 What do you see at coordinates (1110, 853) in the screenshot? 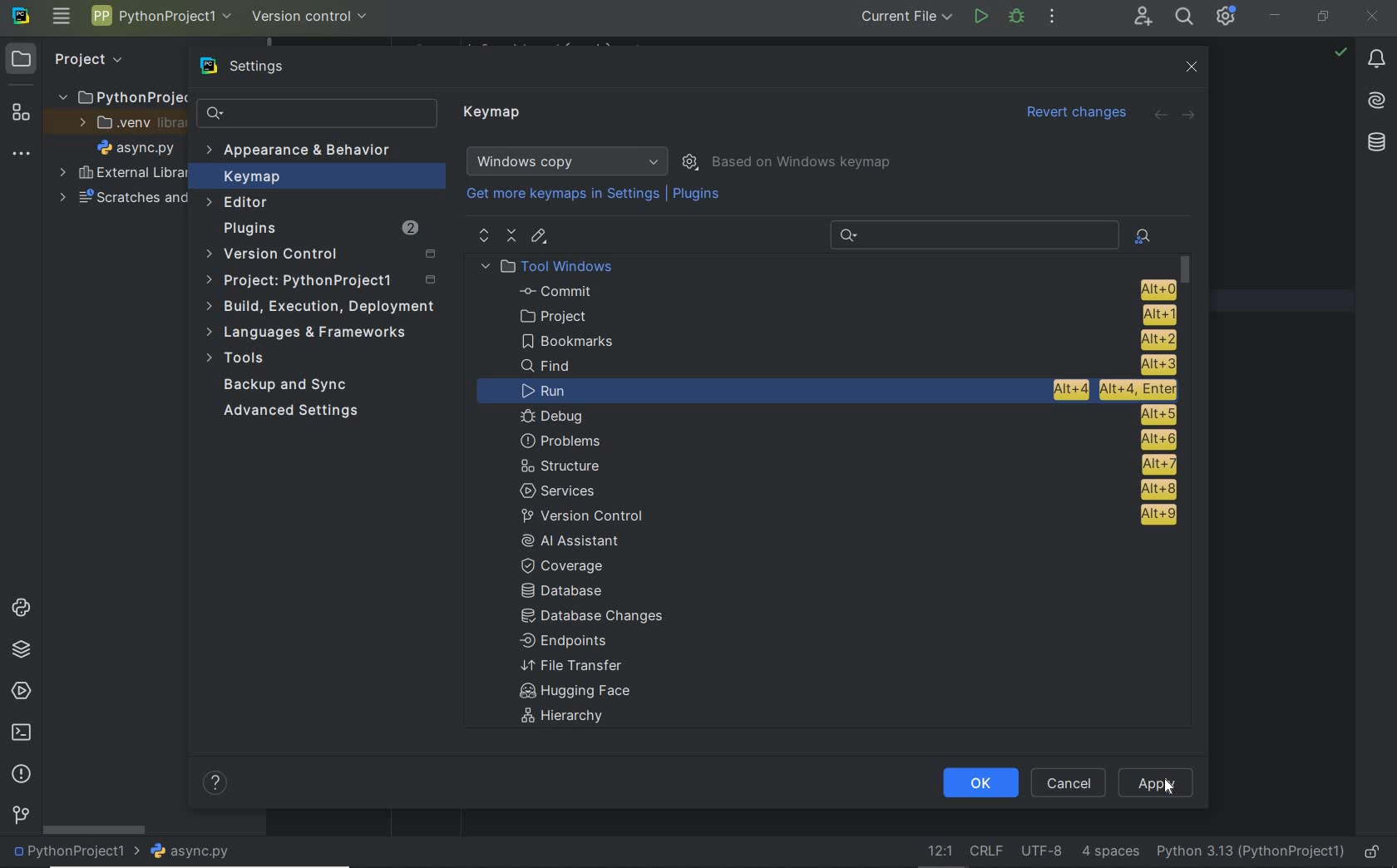
I see `Indent` at bounding box center [1110, 853].